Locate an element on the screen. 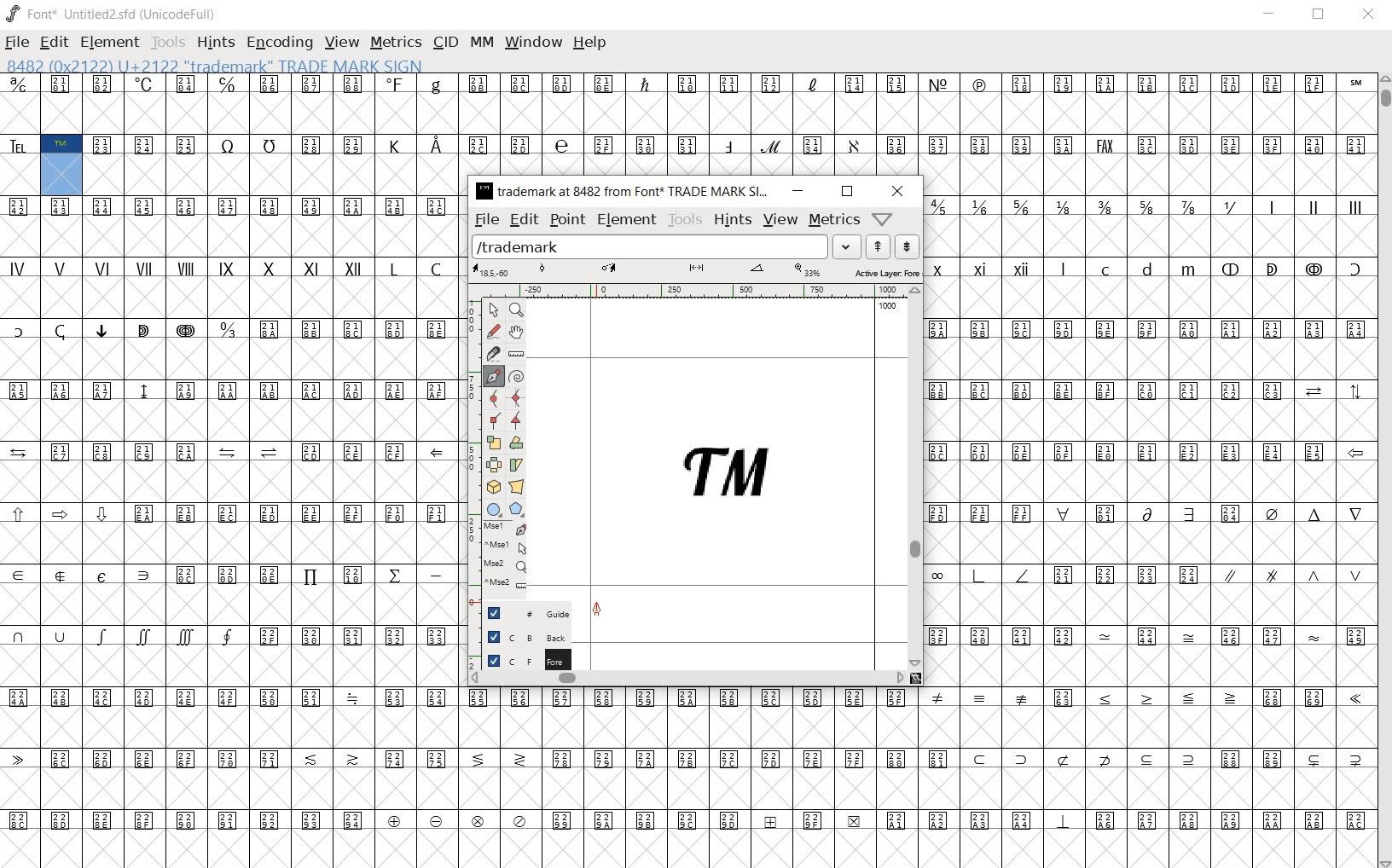 Image resolution: width=1392 pixels, height=868 pixels. add a point, then drag out its control points is located at coordinates (492, 375).